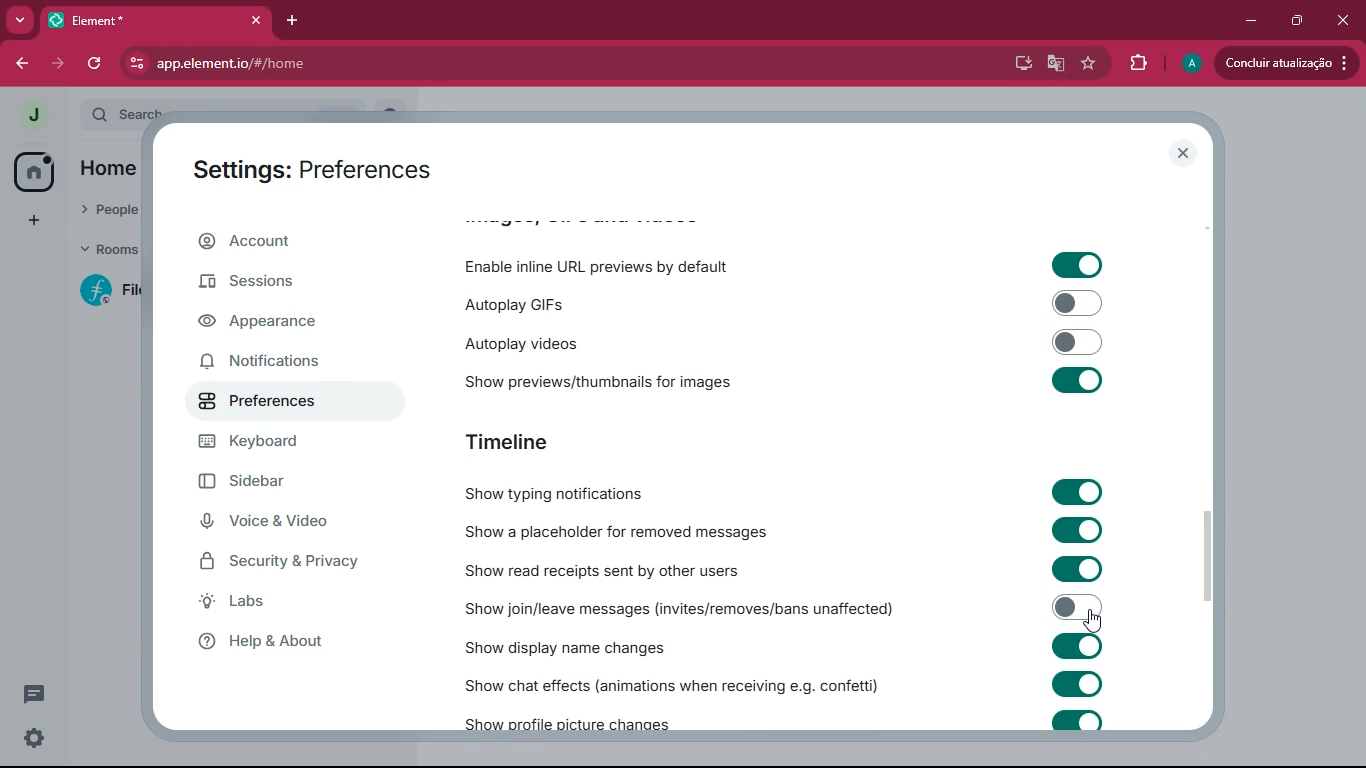 The image size is (1366, 768). I want to click on show typing notifications, so click(586, 494).